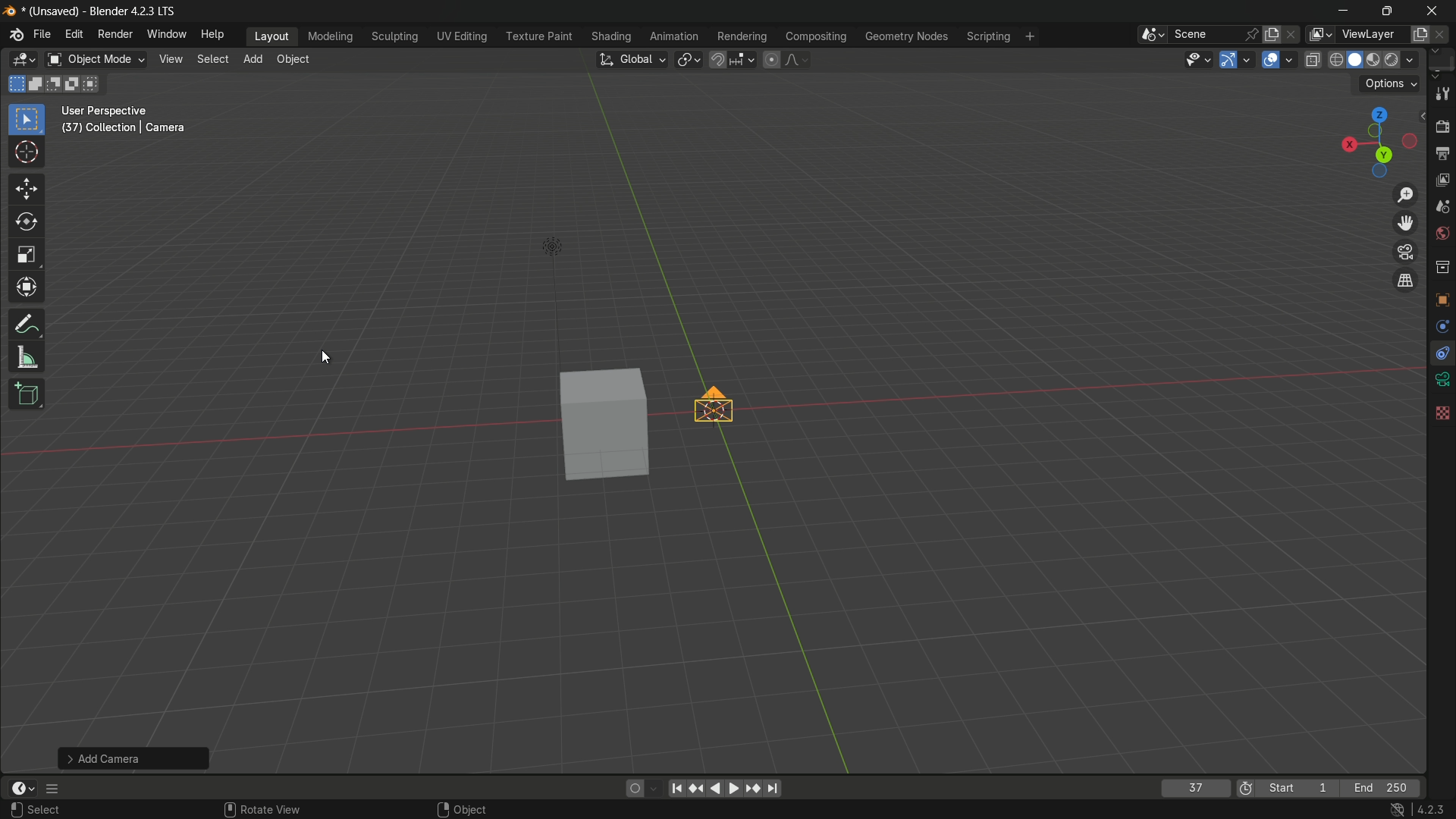  Describe the element at coordinates (1196, 788) in the screenshot. I see `current frame` at that location.